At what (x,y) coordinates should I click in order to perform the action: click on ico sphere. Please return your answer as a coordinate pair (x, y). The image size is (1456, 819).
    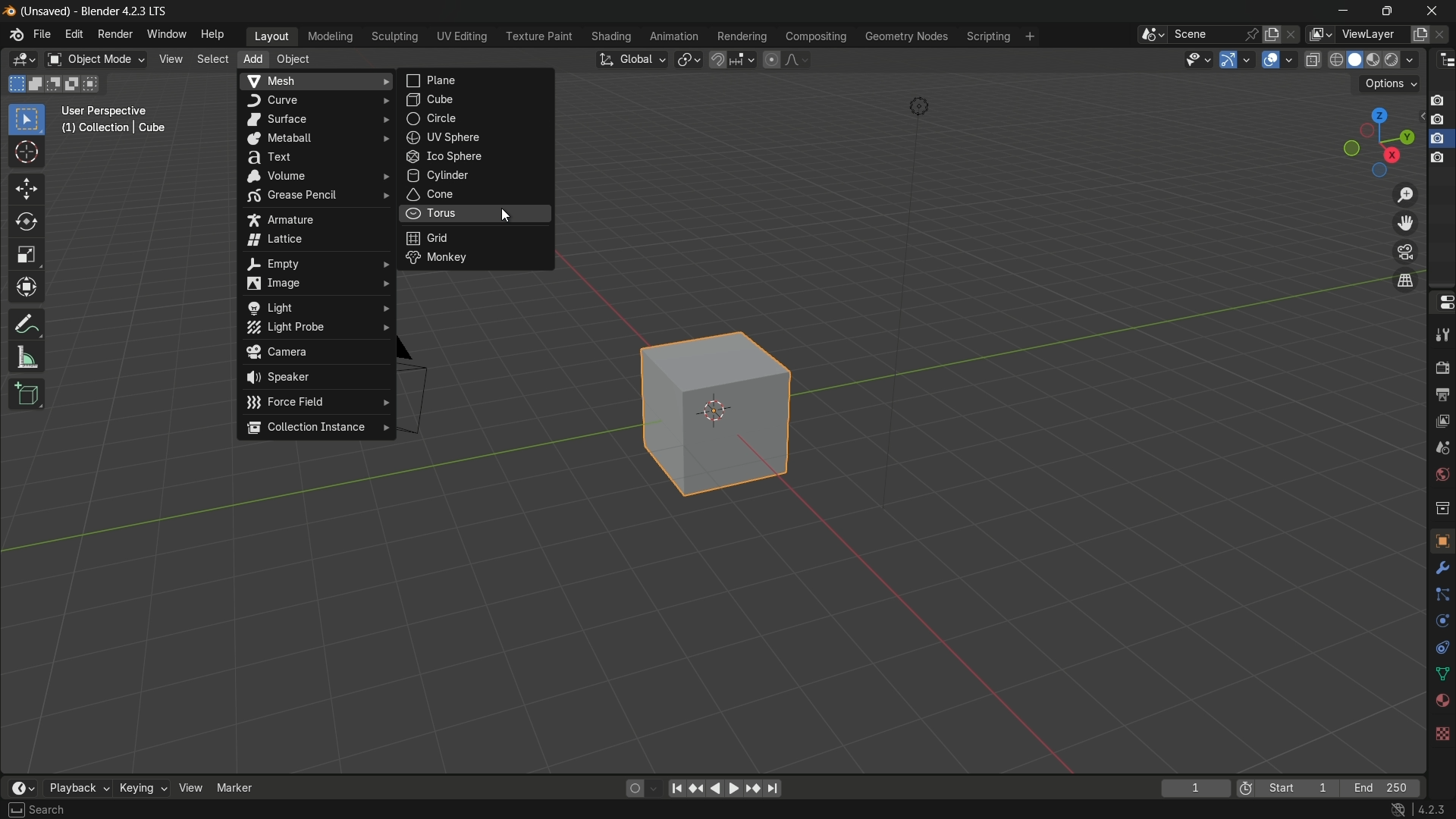
    Looking at the image, I should click on (476, 157).